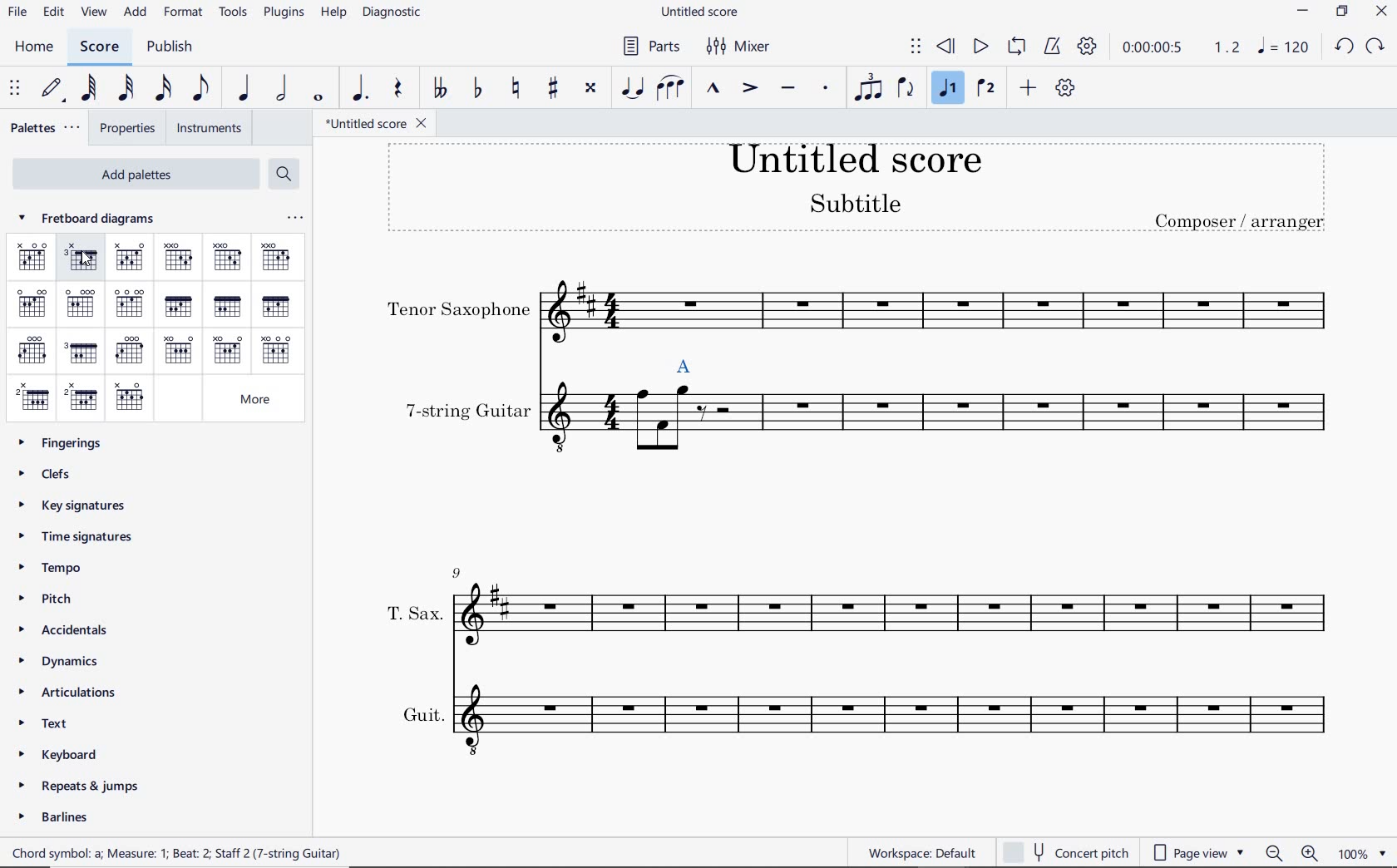 This screenshot has width=1397, height=868. Describe the element at coordinates (234, 13) in the screenshot. I see `TOOLS` at that location.